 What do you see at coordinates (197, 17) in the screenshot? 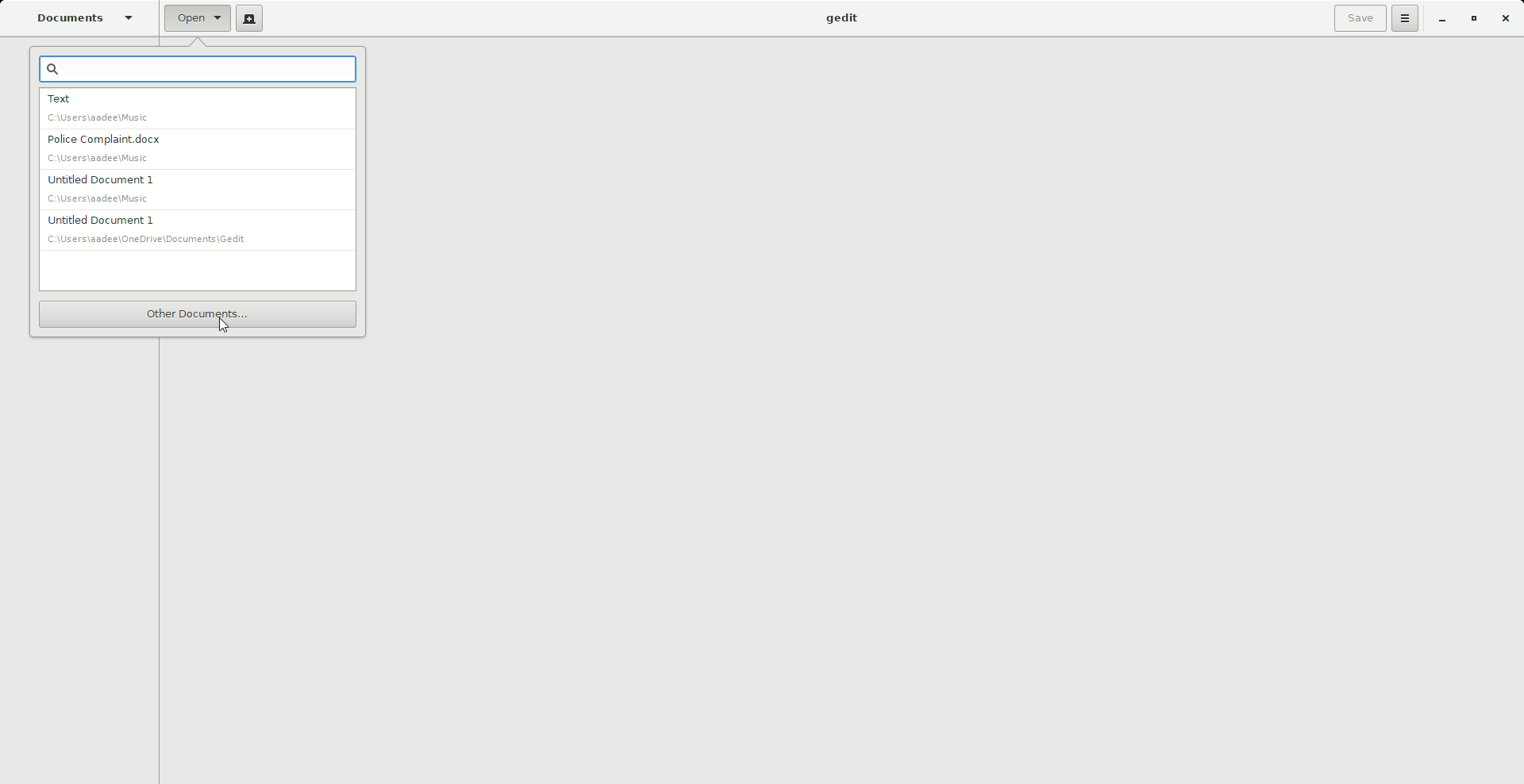
I see `Open` at bounding box center [197, 17].